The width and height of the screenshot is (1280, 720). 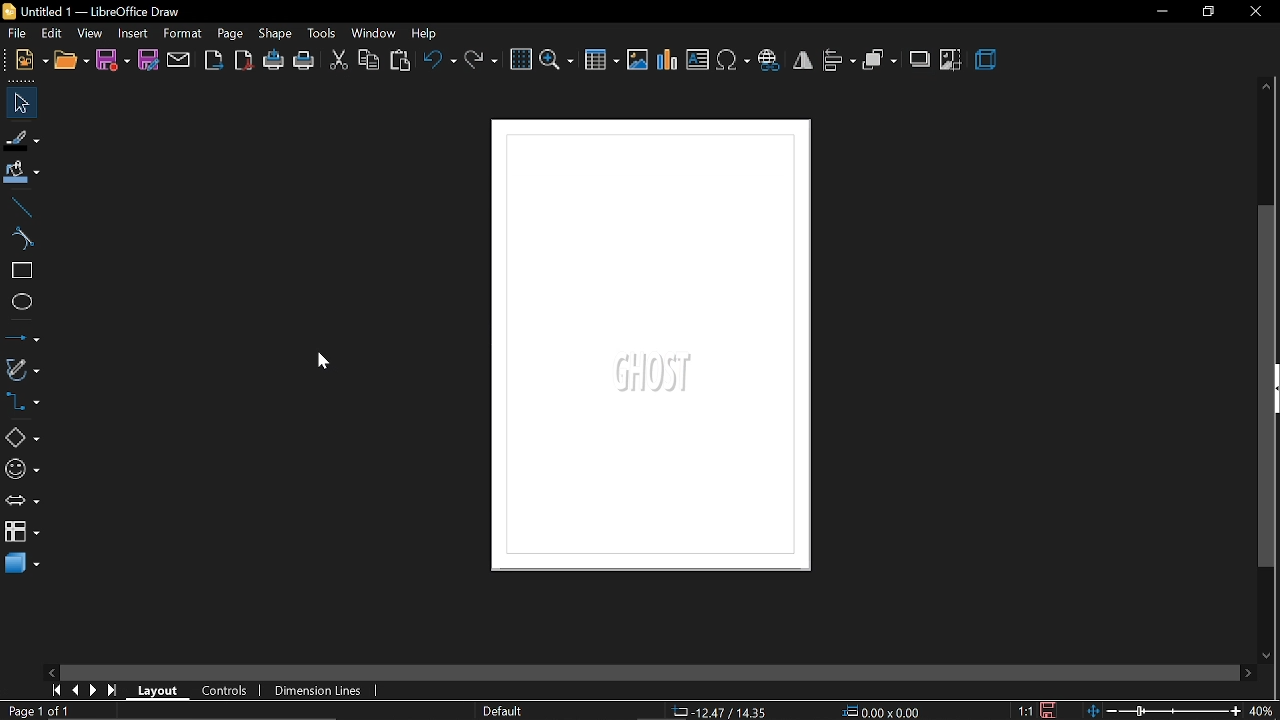 I want to click on rectangle, so click(x=19, y=272).